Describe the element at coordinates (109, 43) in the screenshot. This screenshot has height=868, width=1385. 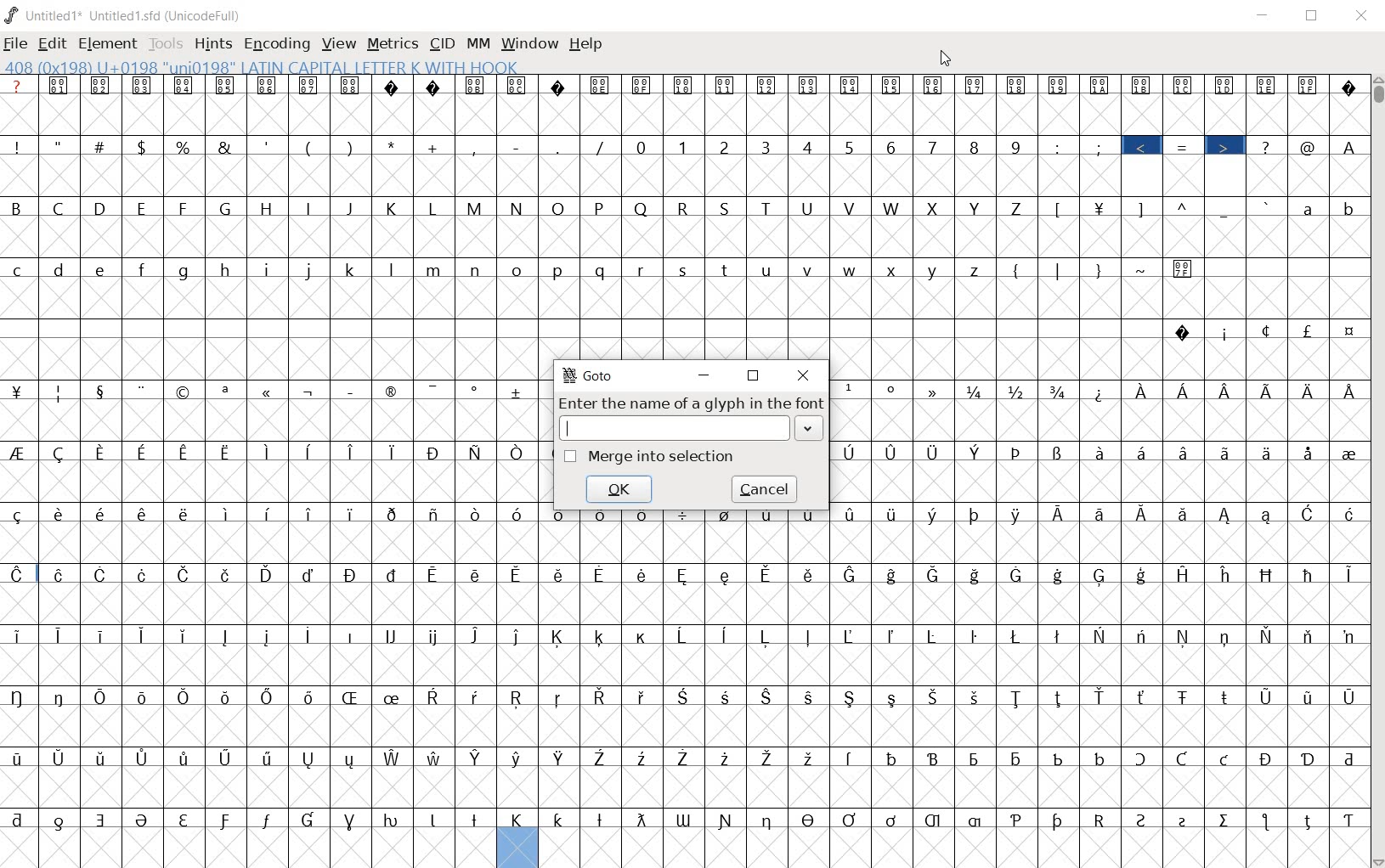
I see `element` at that location.